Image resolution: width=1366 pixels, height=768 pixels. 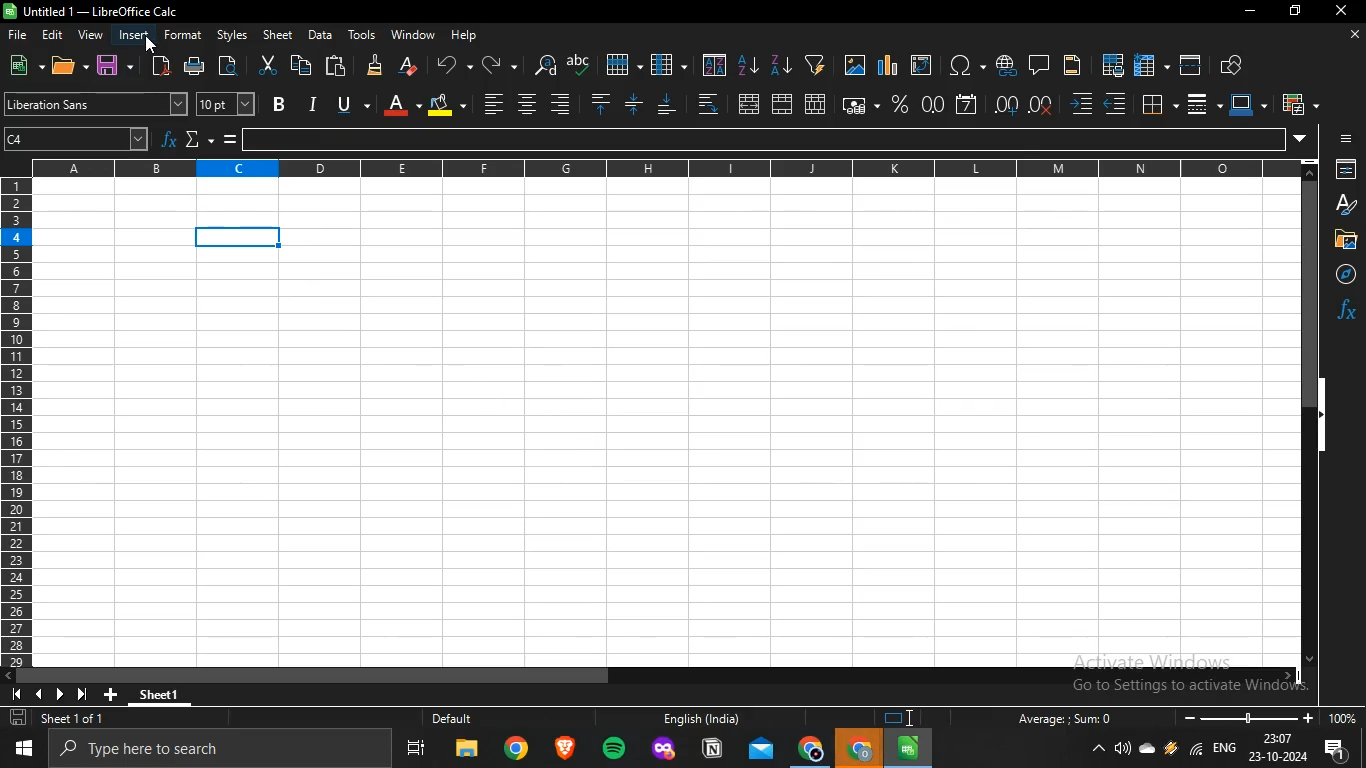 I want to click on styles, so click(x=231, y=36).